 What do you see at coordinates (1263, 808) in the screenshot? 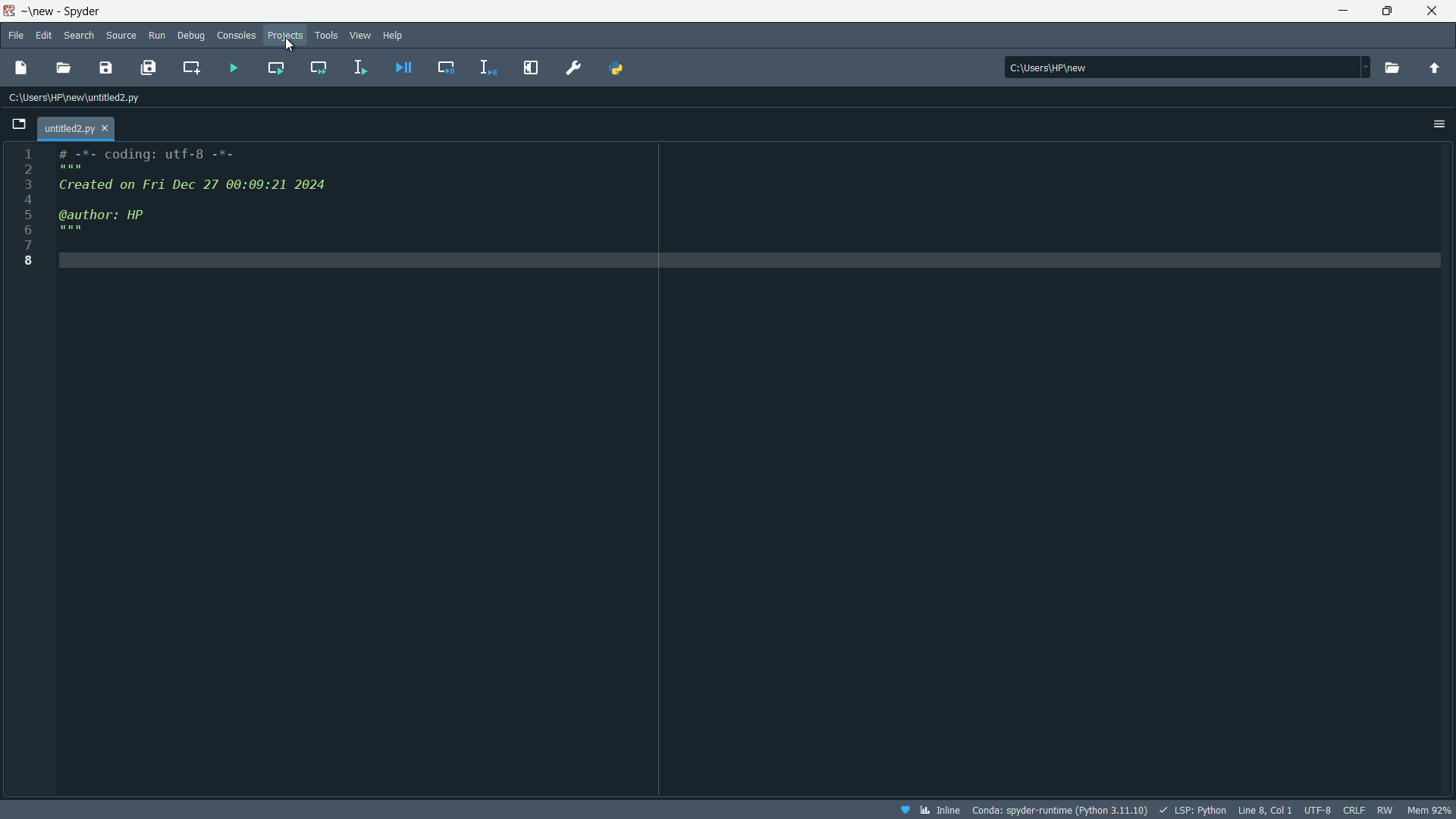
I see `cursor position` at bounding box center [1263, 808].